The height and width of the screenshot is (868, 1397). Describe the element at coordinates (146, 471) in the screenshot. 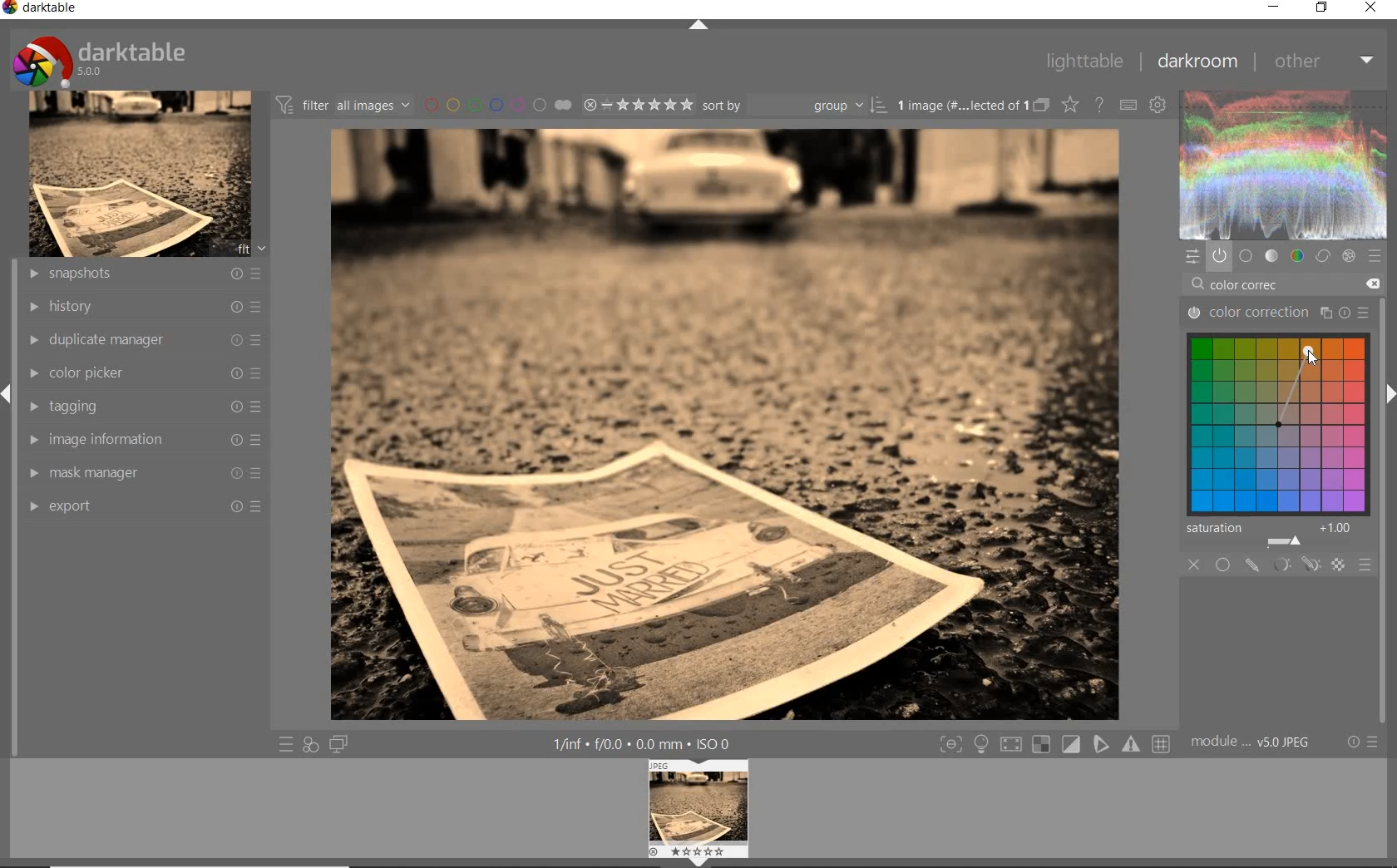

I see `mask manager` at that location.